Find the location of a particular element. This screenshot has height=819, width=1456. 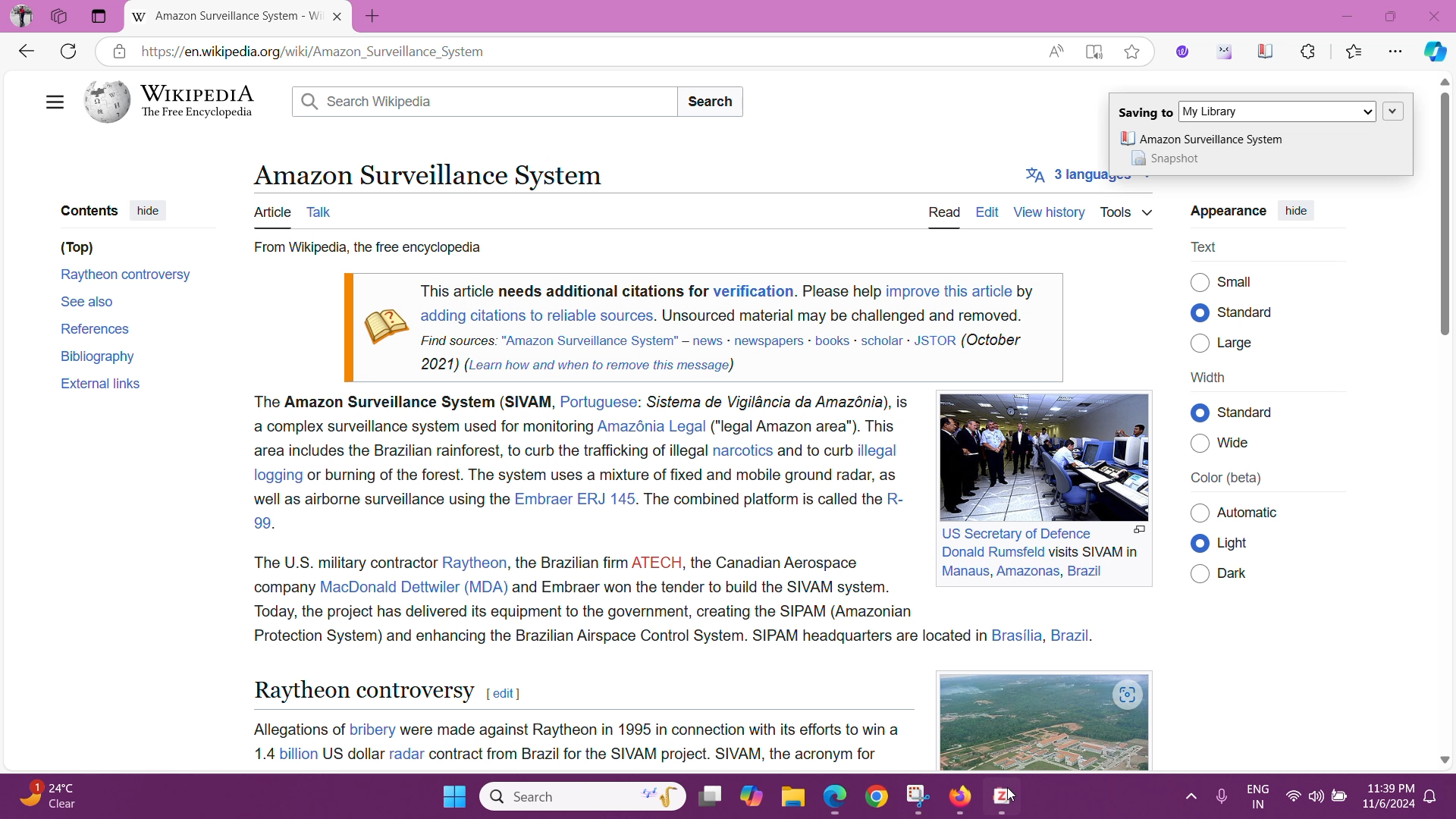

(7) Small is located at coordinates (1239, 281).